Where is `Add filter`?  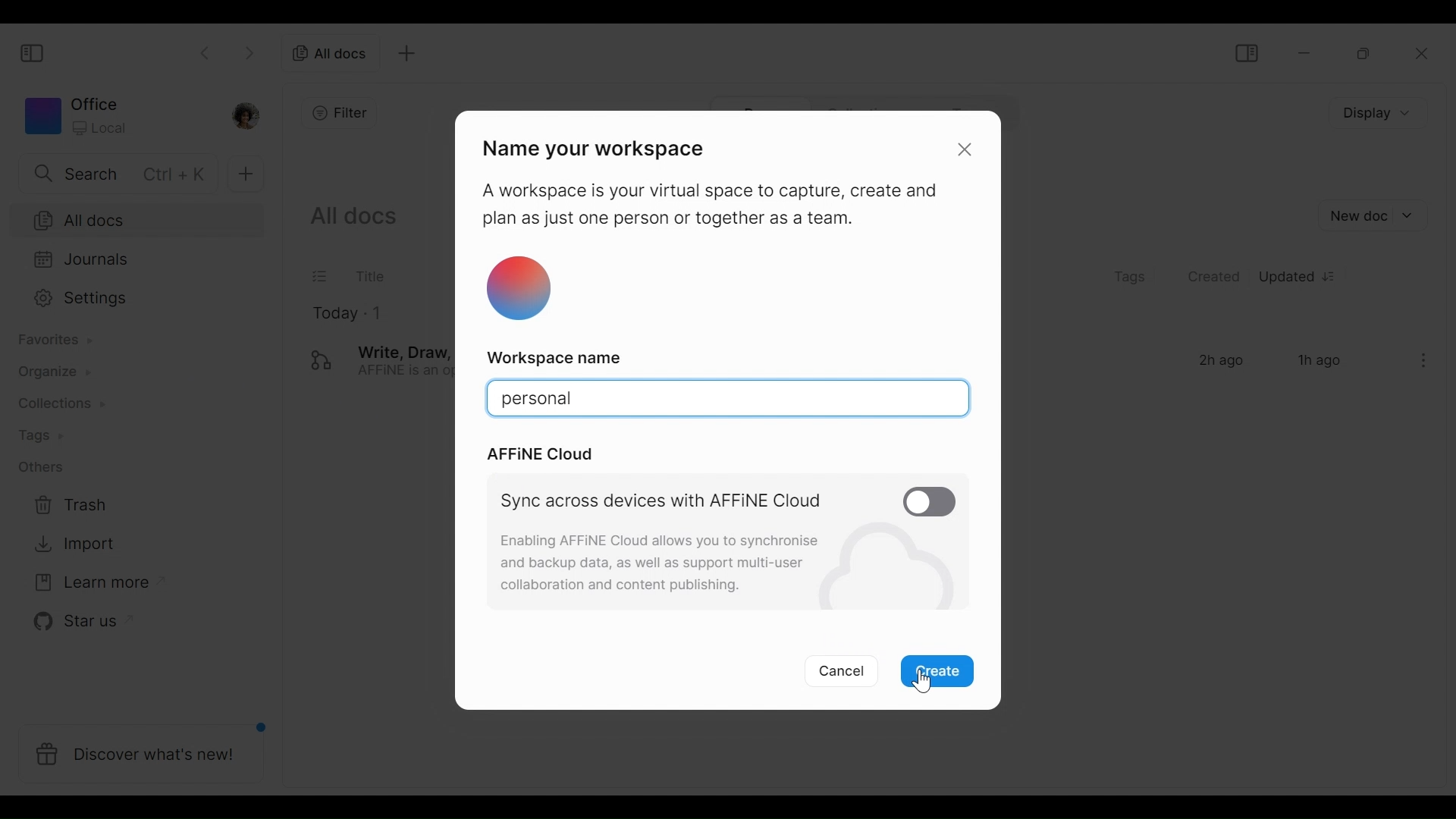 Add filter is located at coordinates (334, 112).